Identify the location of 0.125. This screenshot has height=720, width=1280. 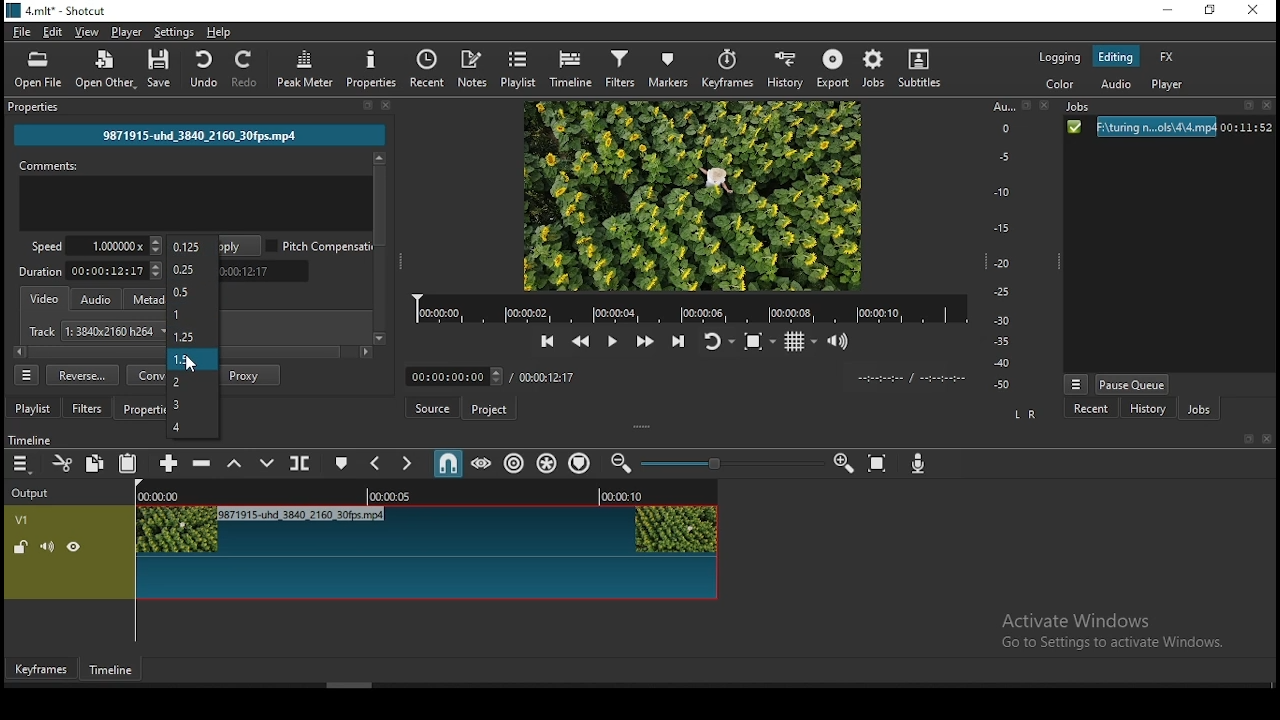
(191, 248).